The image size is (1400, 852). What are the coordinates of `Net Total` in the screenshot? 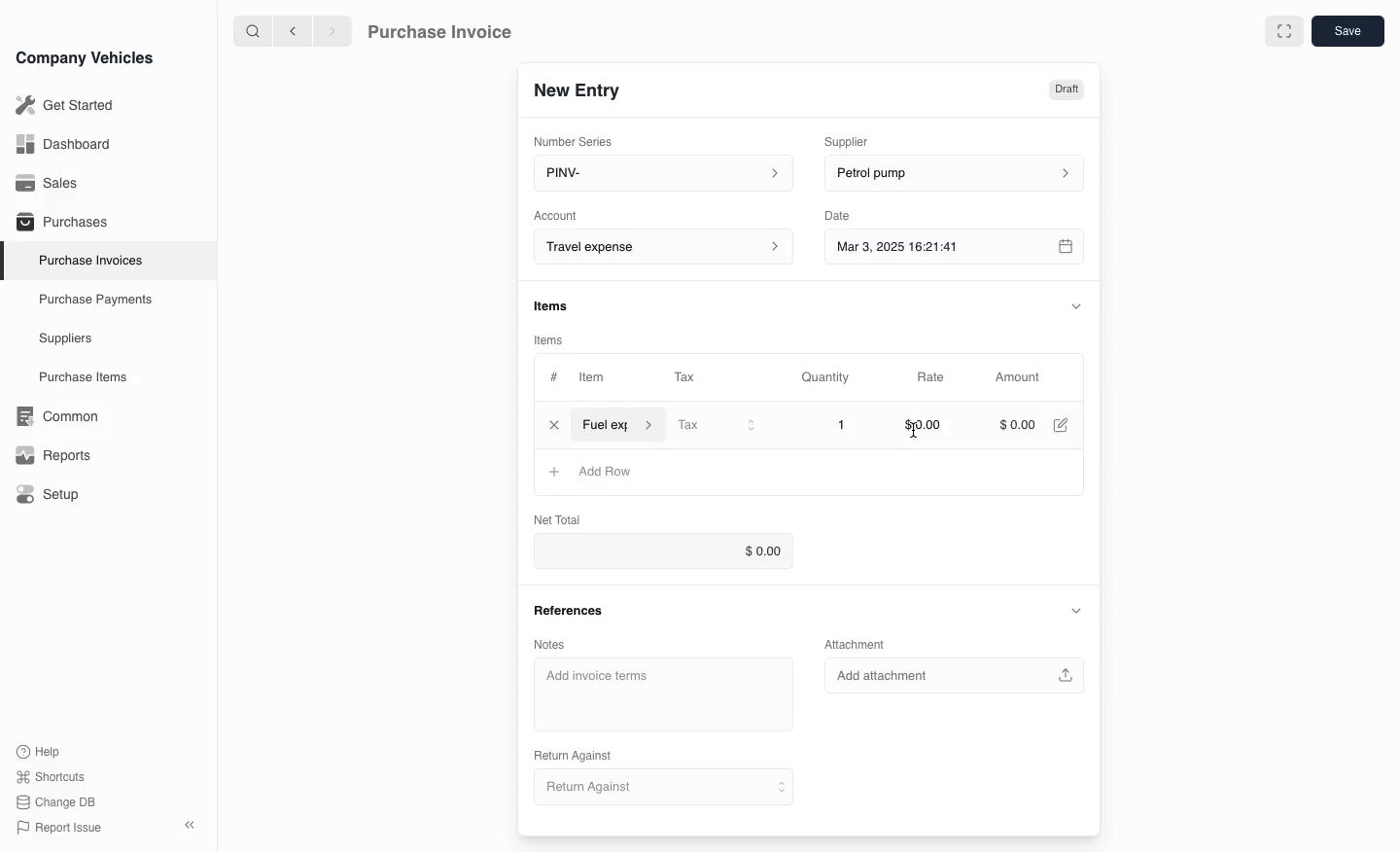 It's located at (554, 518).